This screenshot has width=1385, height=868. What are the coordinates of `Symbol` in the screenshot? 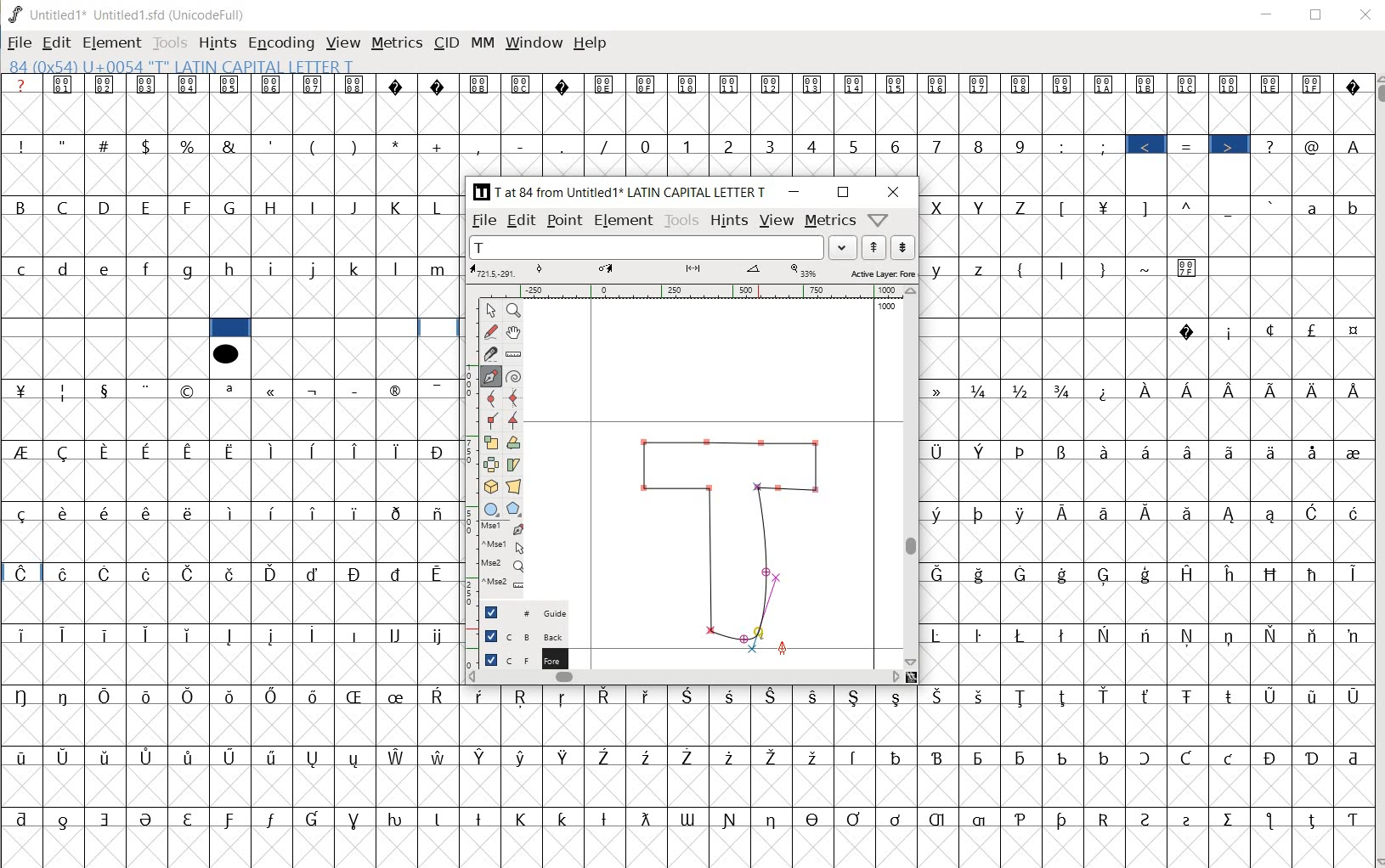 It's located at (982, 513).